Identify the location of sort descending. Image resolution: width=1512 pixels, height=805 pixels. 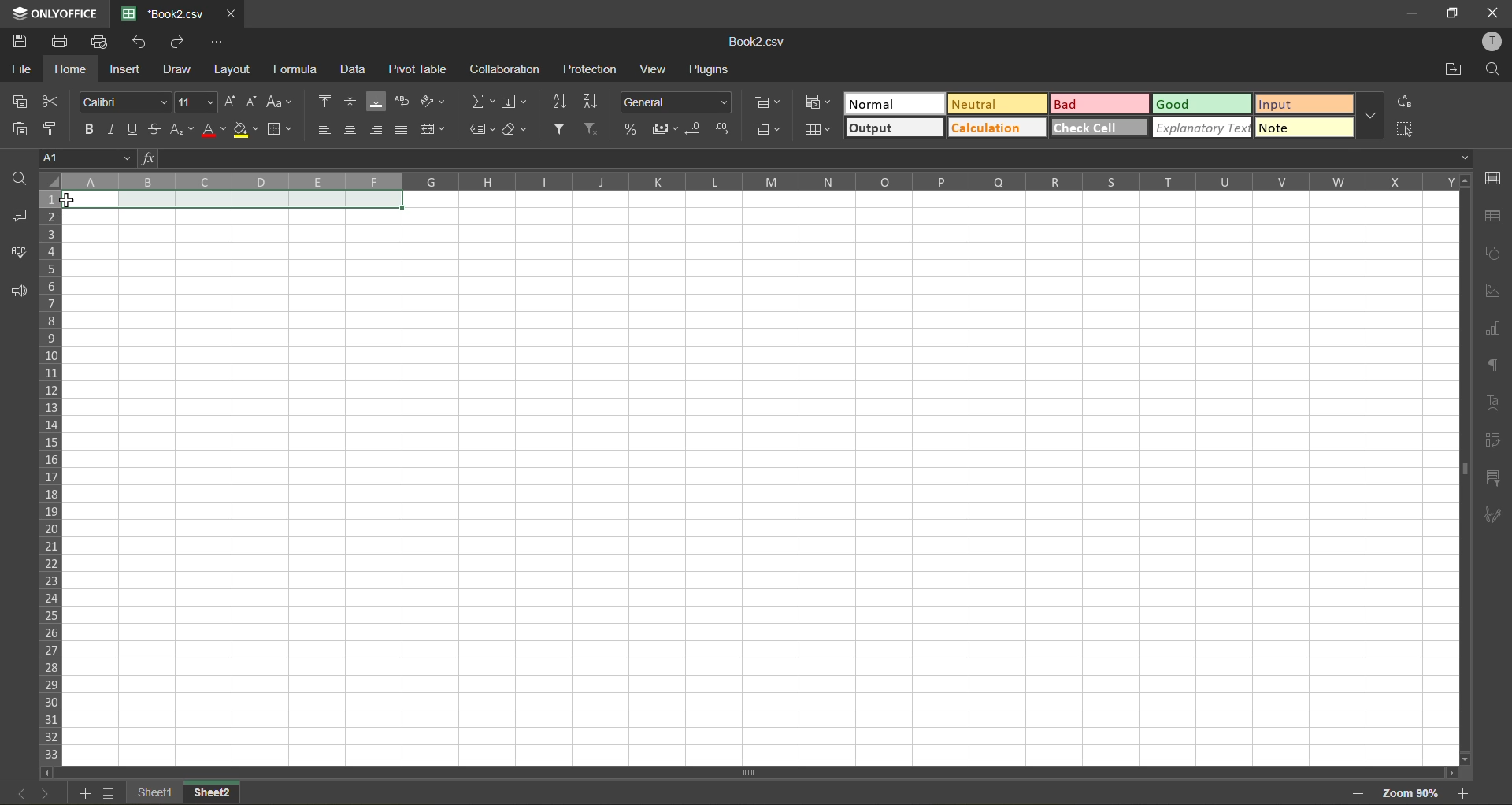
(591, 102).